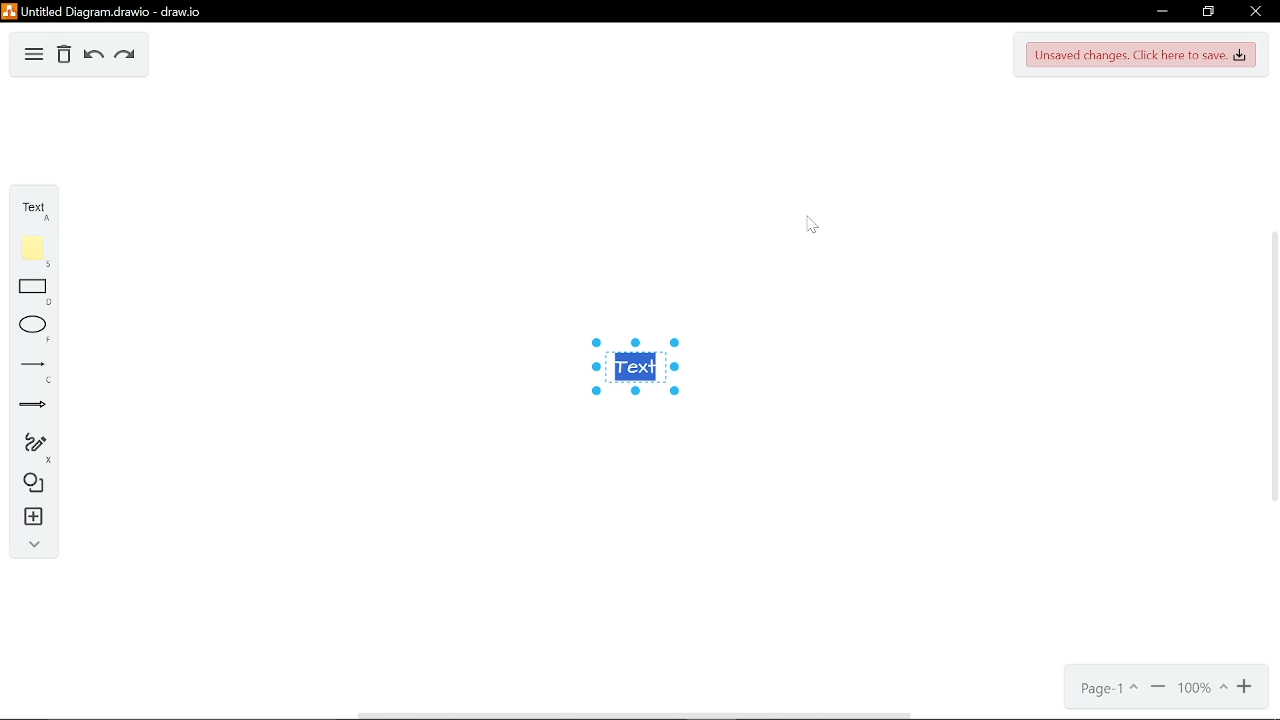  What do you see at coordinates (34, 52) in the screenshot?
I see `Diagram` at bounding box center [34, 52].